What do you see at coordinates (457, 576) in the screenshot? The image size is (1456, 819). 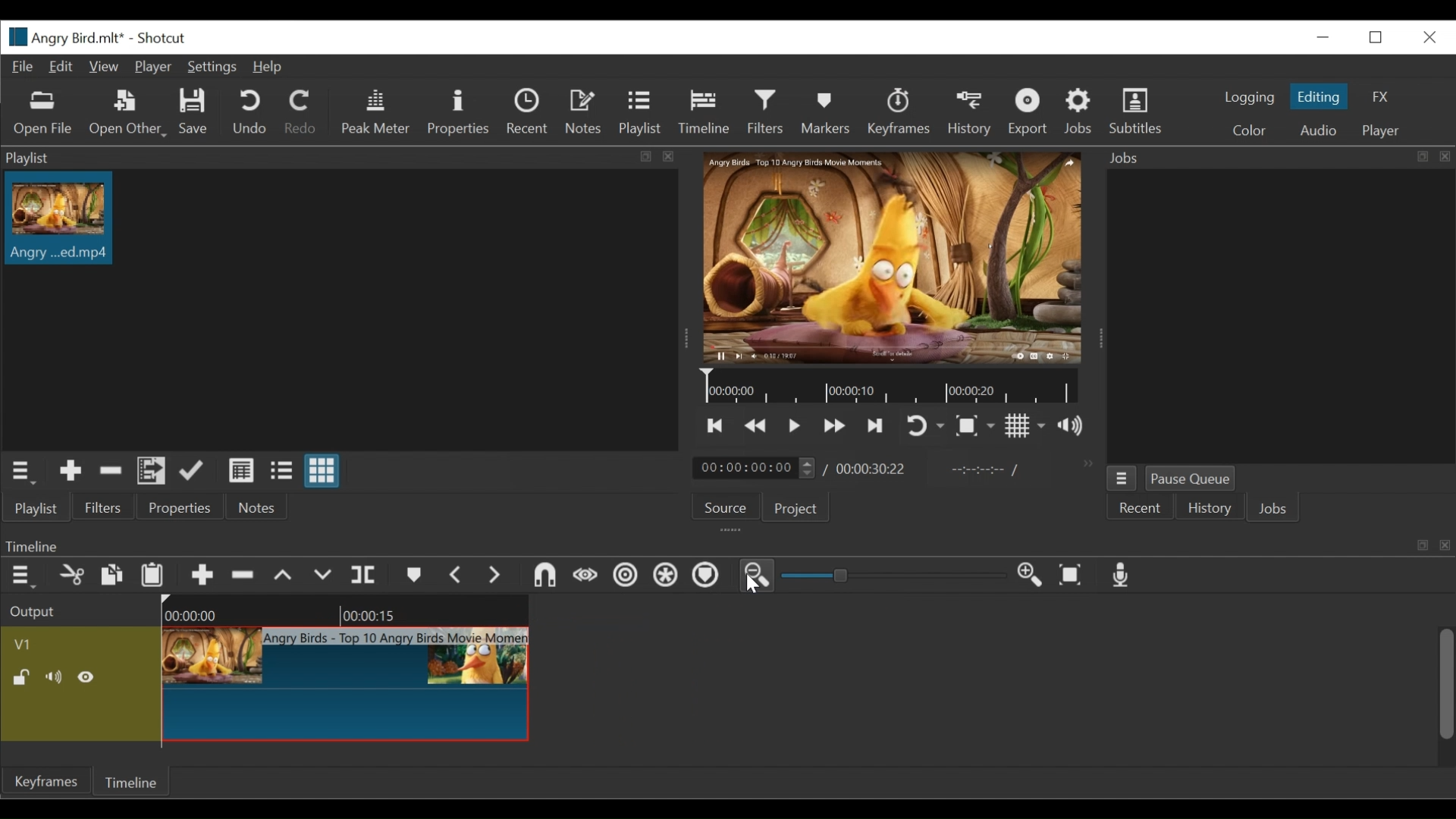 I see `Previous marker` at bounding box center [457, 576].